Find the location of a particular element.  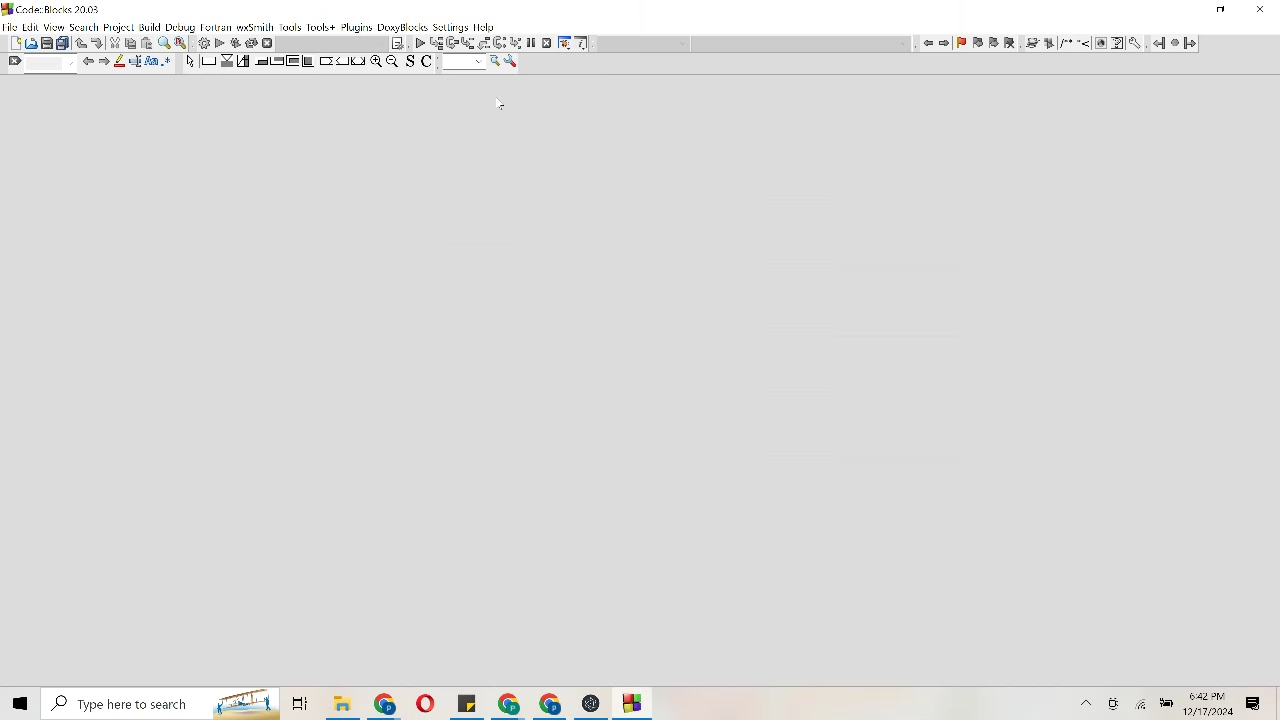

Plugins is located at coordinates (356, 27).